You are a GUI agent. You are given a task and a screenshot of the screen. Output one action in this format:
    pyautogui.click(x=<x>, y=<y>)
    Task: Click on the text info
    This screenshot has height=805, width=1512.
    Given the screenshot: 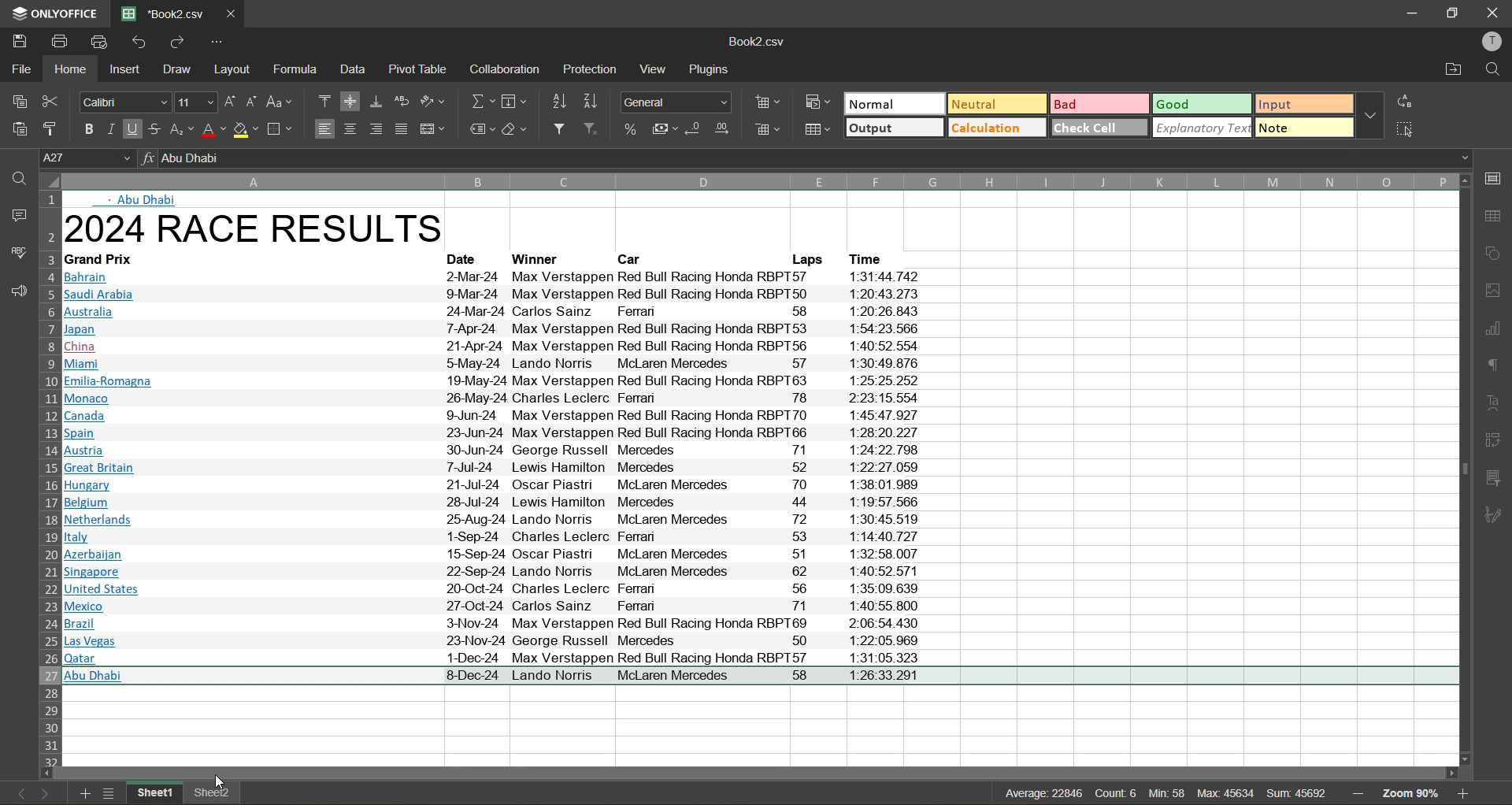 What is the action you would take?
    pyautogui.click(x=493, y=295)
    